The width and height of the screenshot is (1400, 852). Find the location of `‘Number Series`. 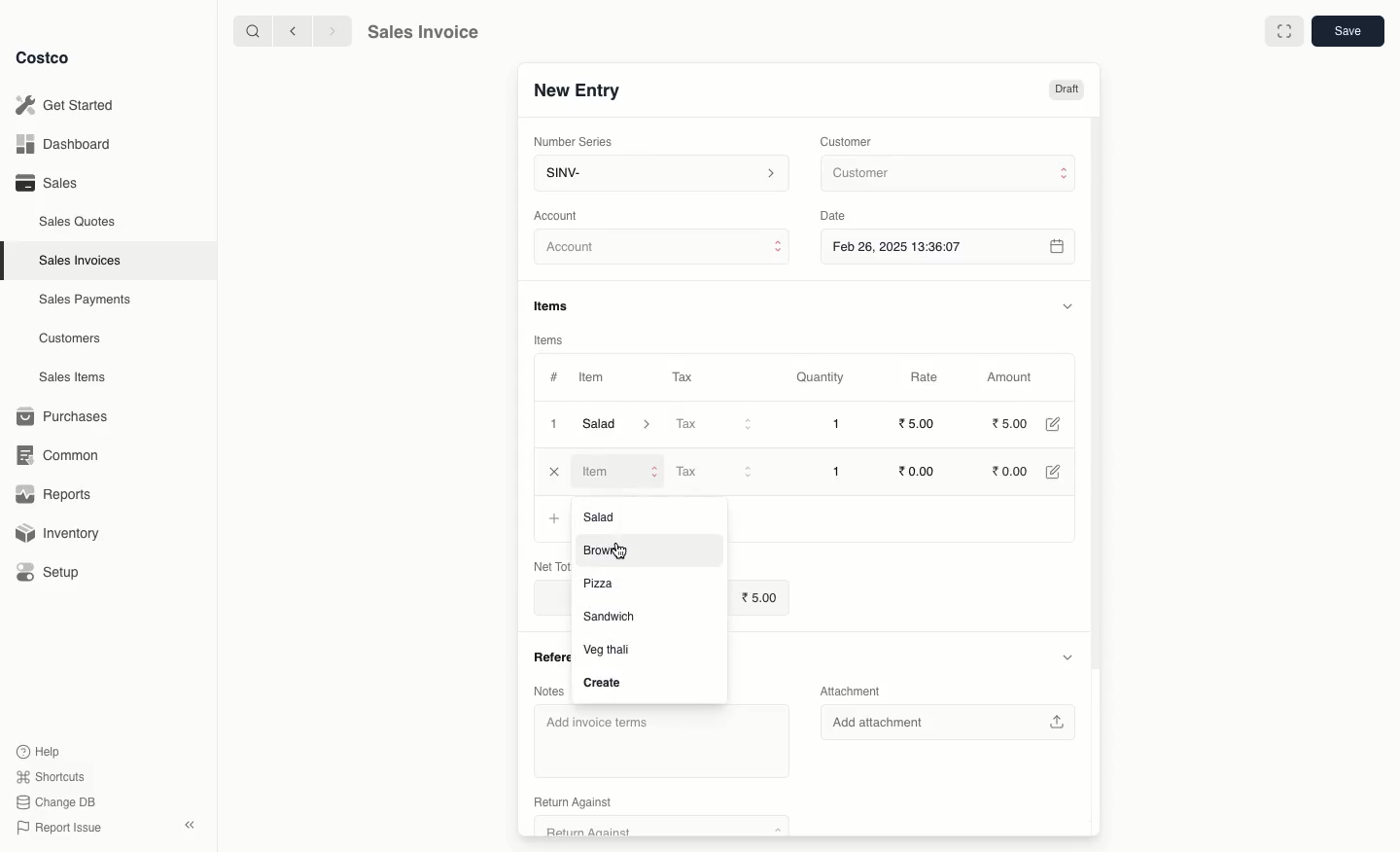

‘Number Series is located at coordinates (570, 142).